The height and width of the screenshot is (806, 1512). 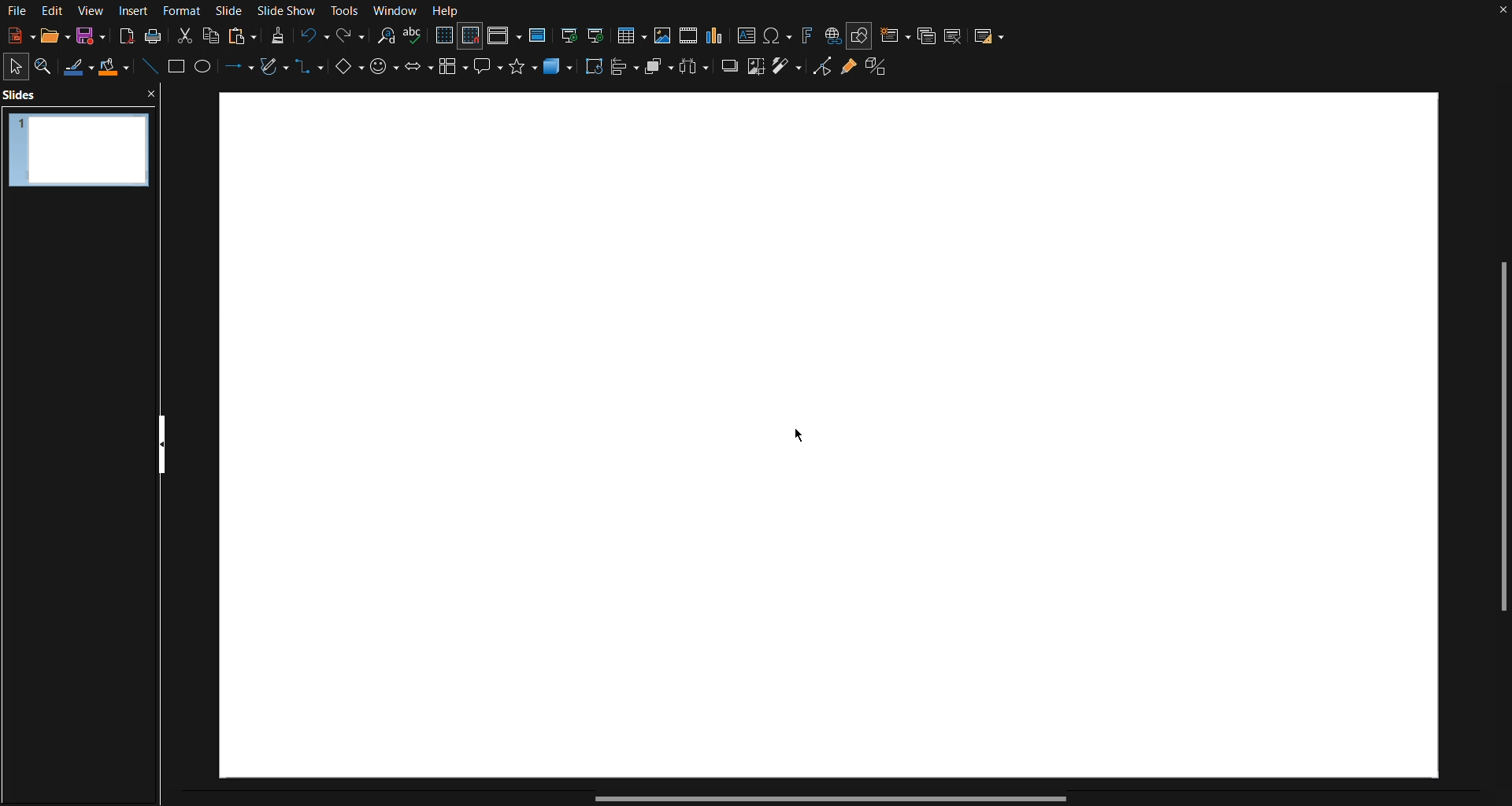 What do you see at coordinates (49, 36) in the screenshot?
I see `Open` at bounding box center [49, 36].